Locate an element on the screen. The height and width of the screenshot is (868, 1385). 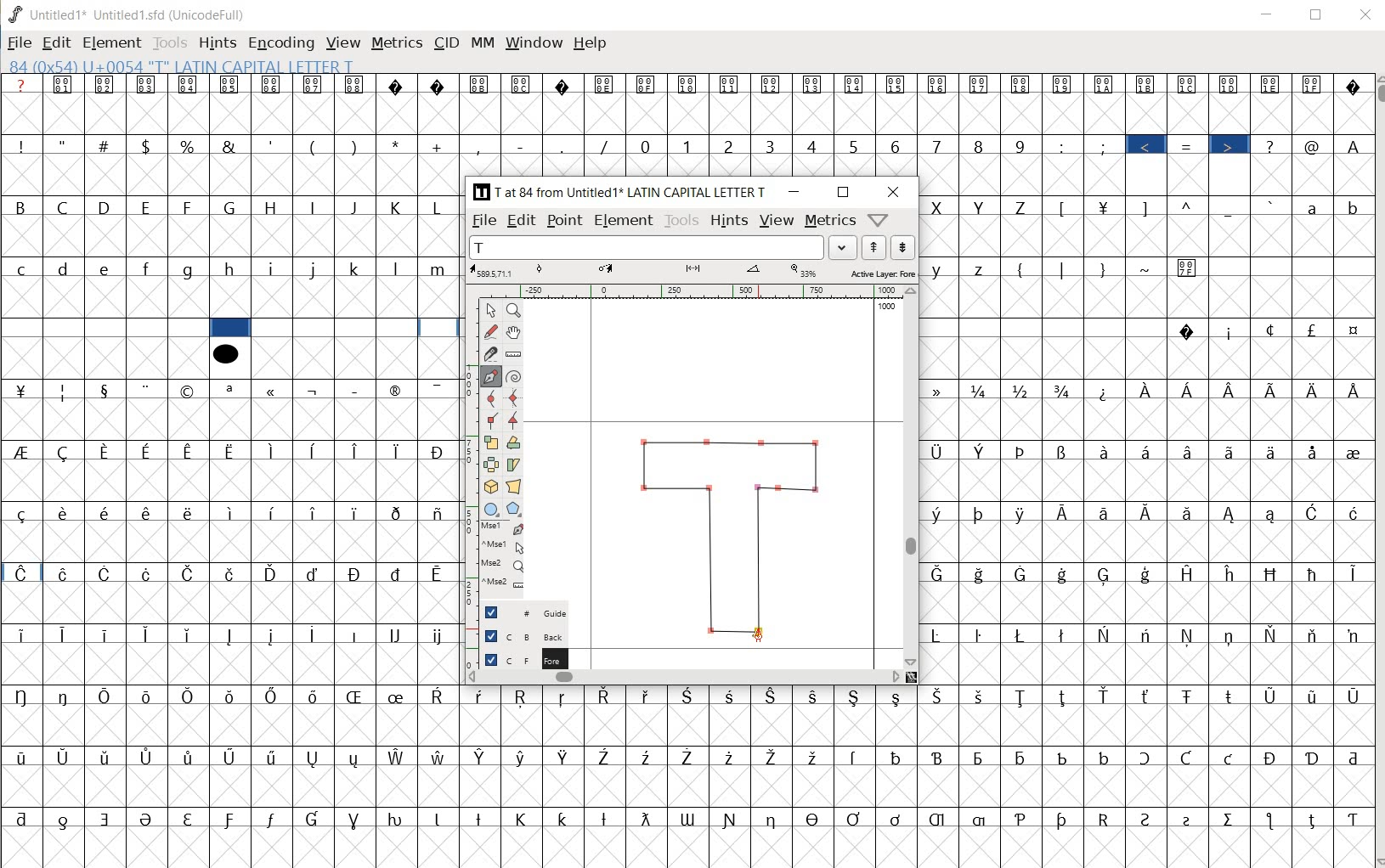
Symbol is located at coordinates (982, 757).